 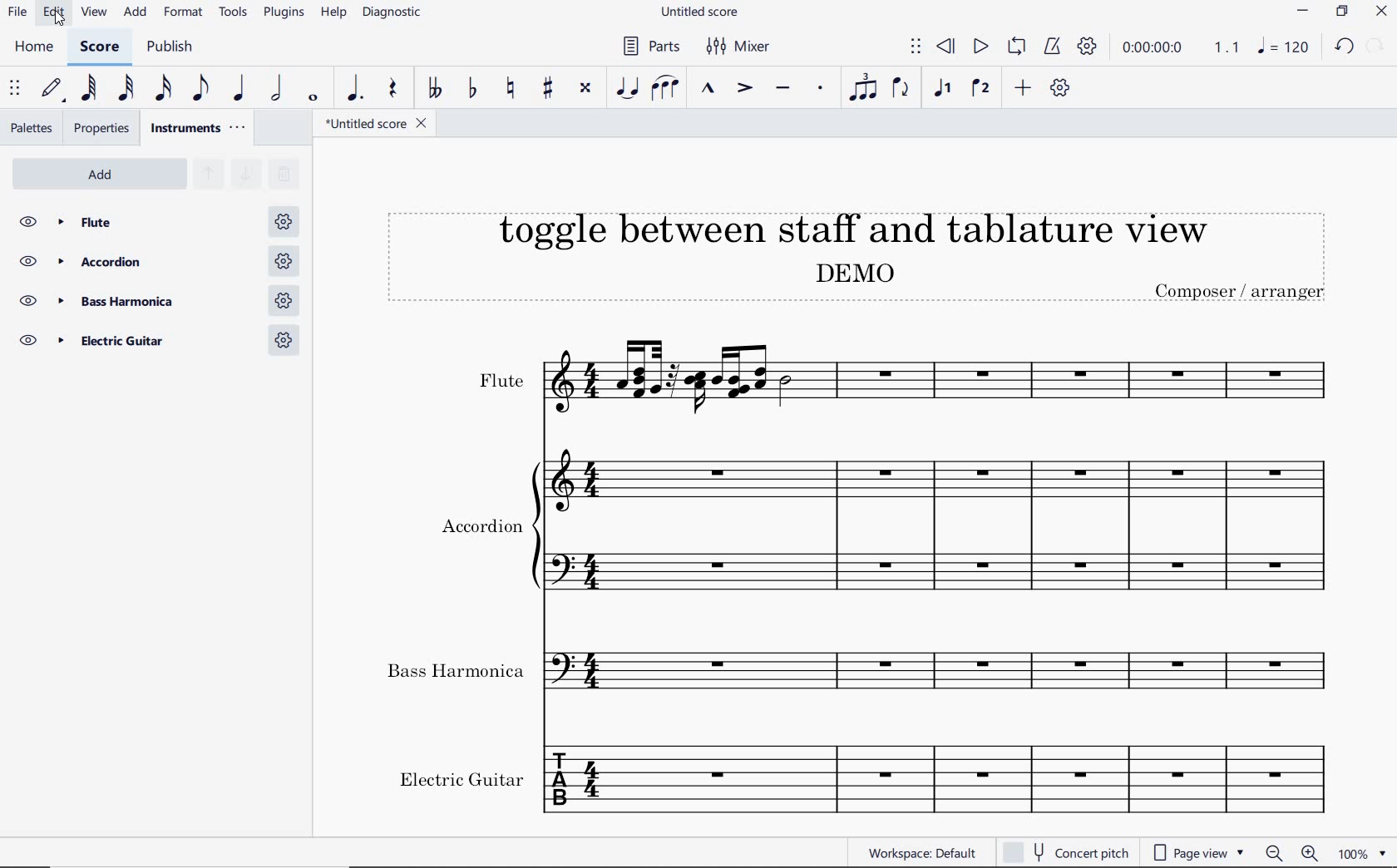 What do you see at coordinates (200, 128) in the screenshot?
I see `instruments` at bounding box center [200, 128].